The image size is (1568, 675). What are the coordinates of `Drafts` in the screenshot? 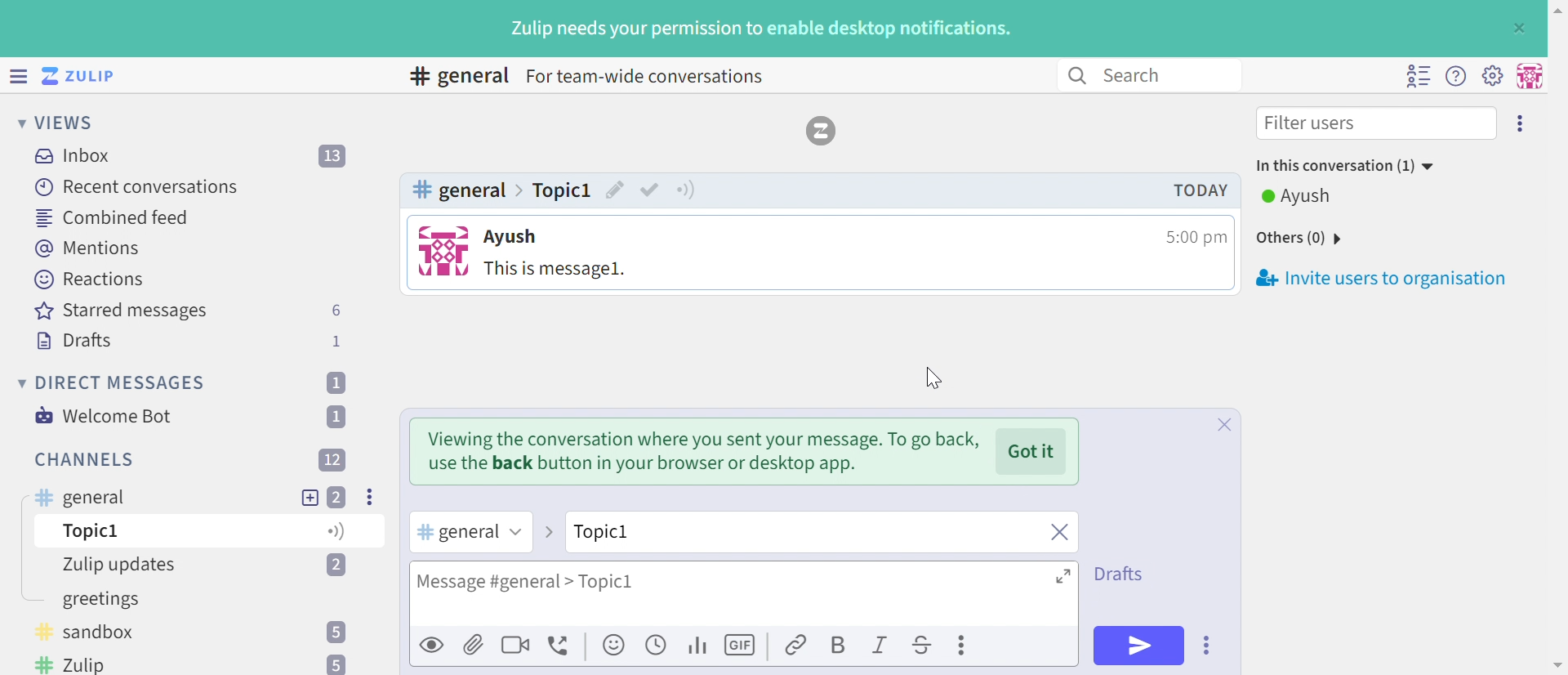 It's located at (1123, 572).